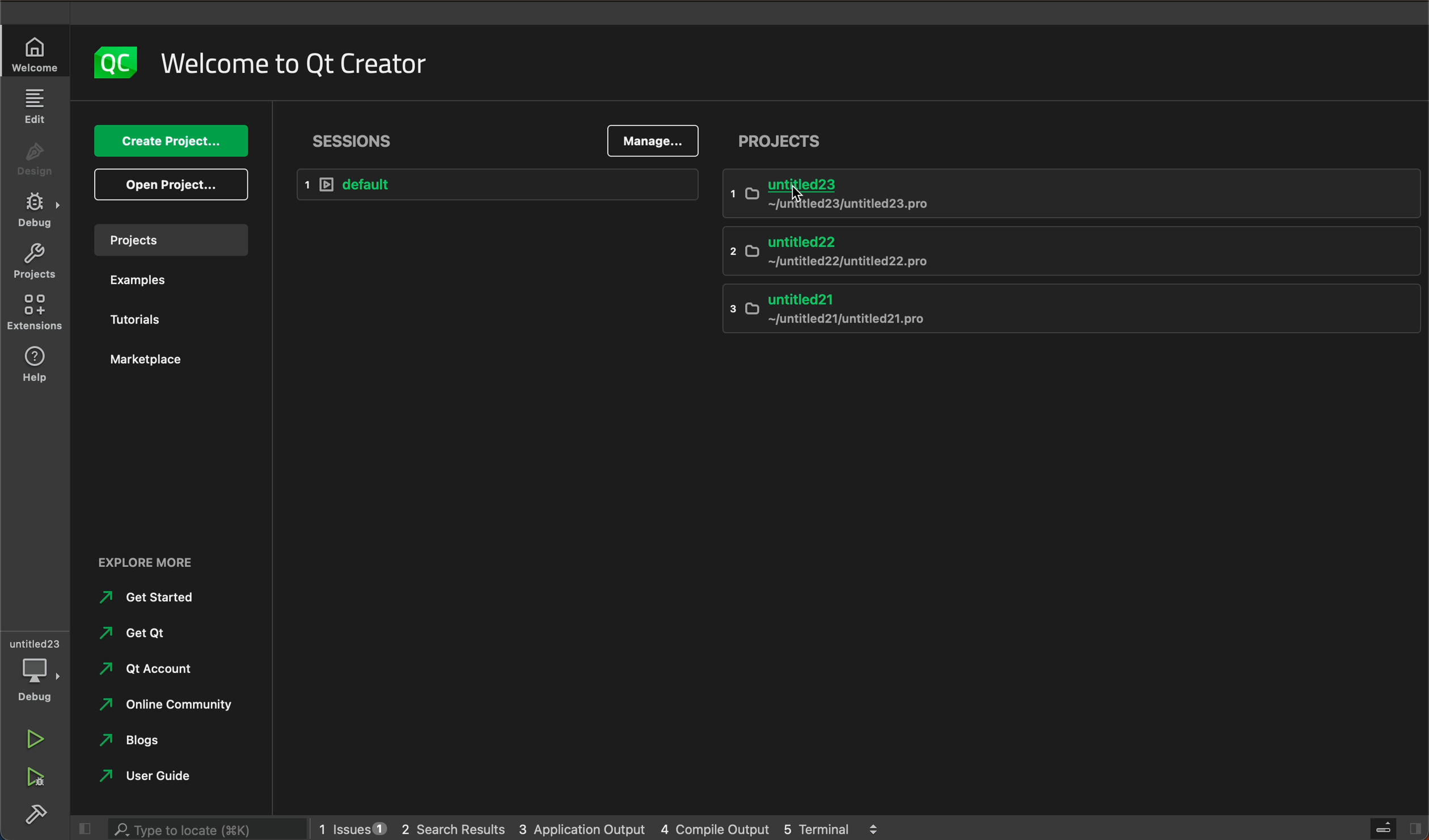 Image resolution: width=1429 pixels, height=840 pixels. Describe the element at coordinates (141, 322) in the screenshot. I see `tutorials` at that location.